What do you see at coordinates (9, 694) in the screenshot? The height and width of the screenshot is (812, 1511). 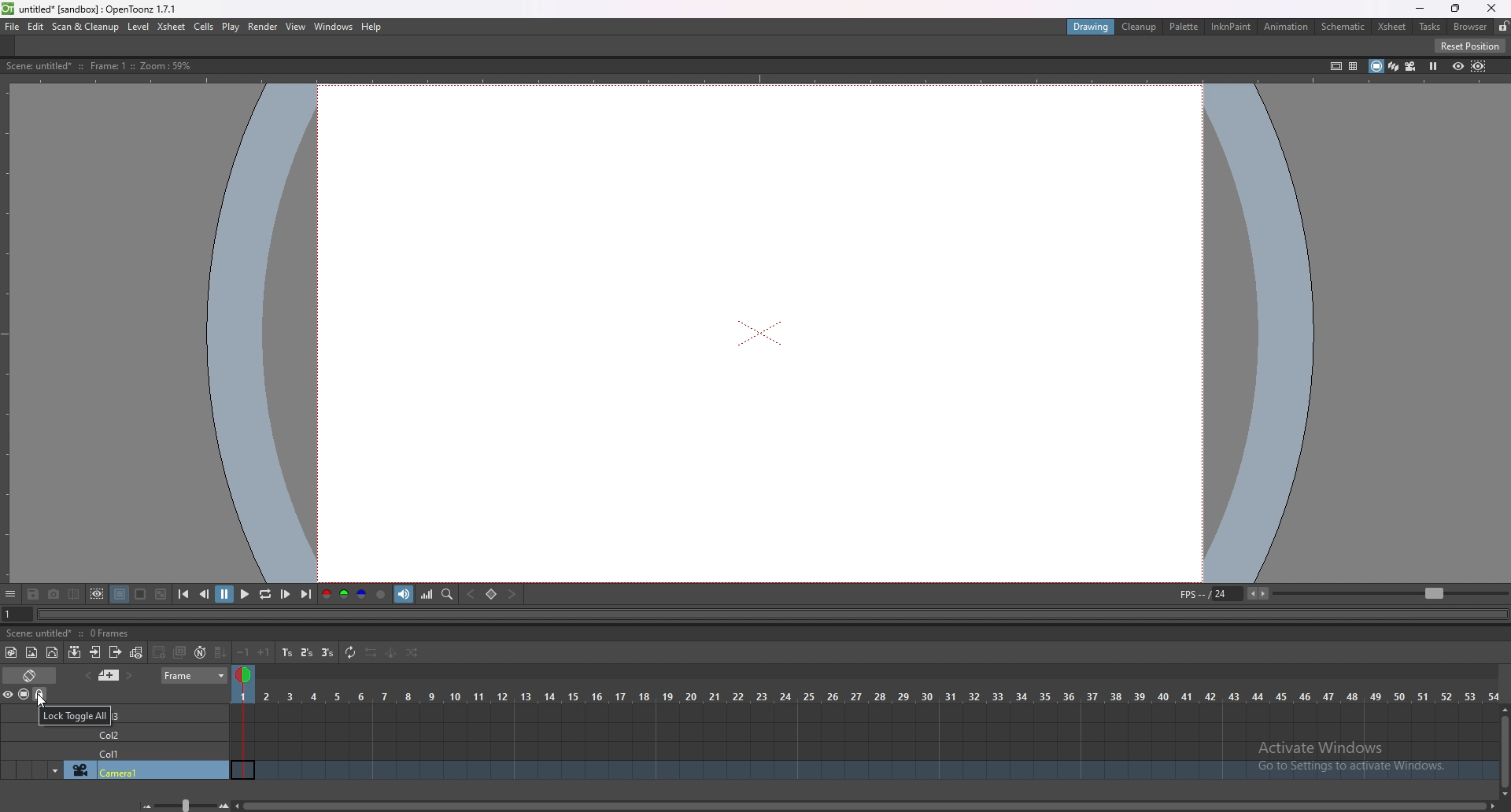 I see `preview toggle` at bounding box center [9, 694].